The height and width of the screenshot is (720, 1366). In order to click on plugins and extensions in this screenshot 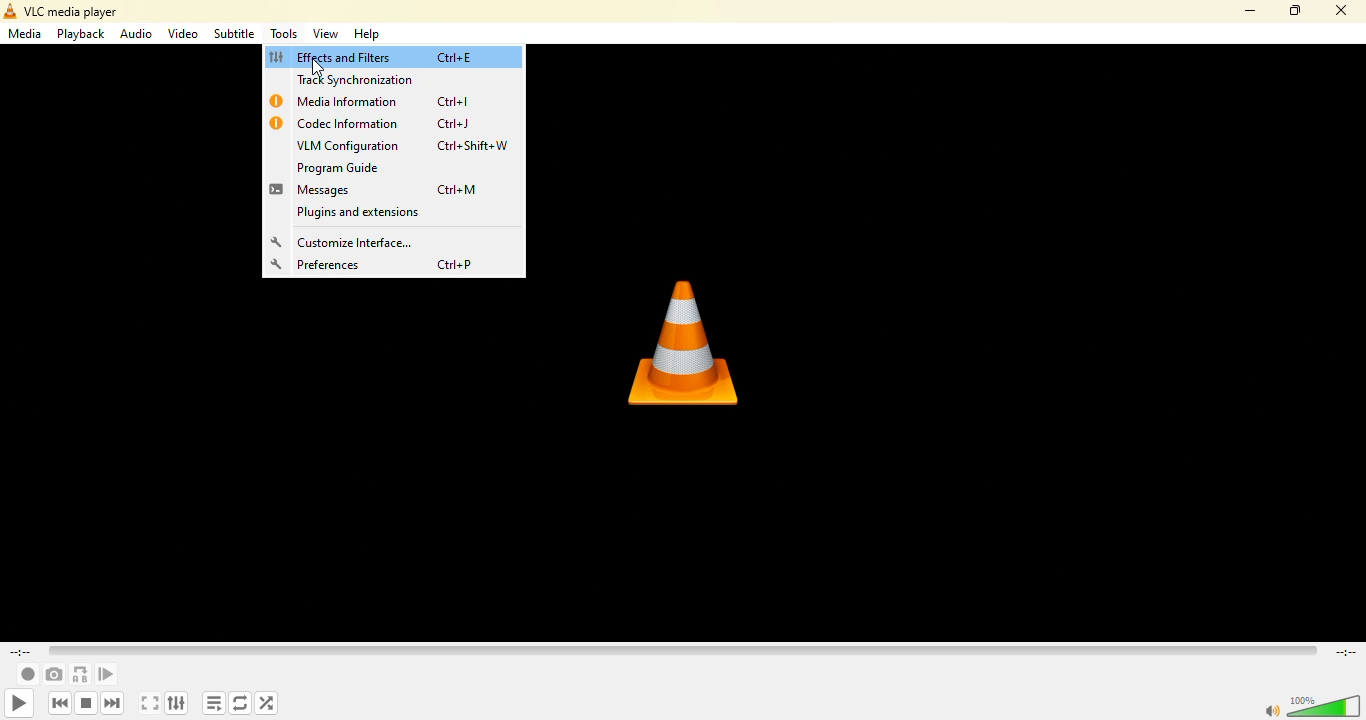, I will do `click(357, 212)`.